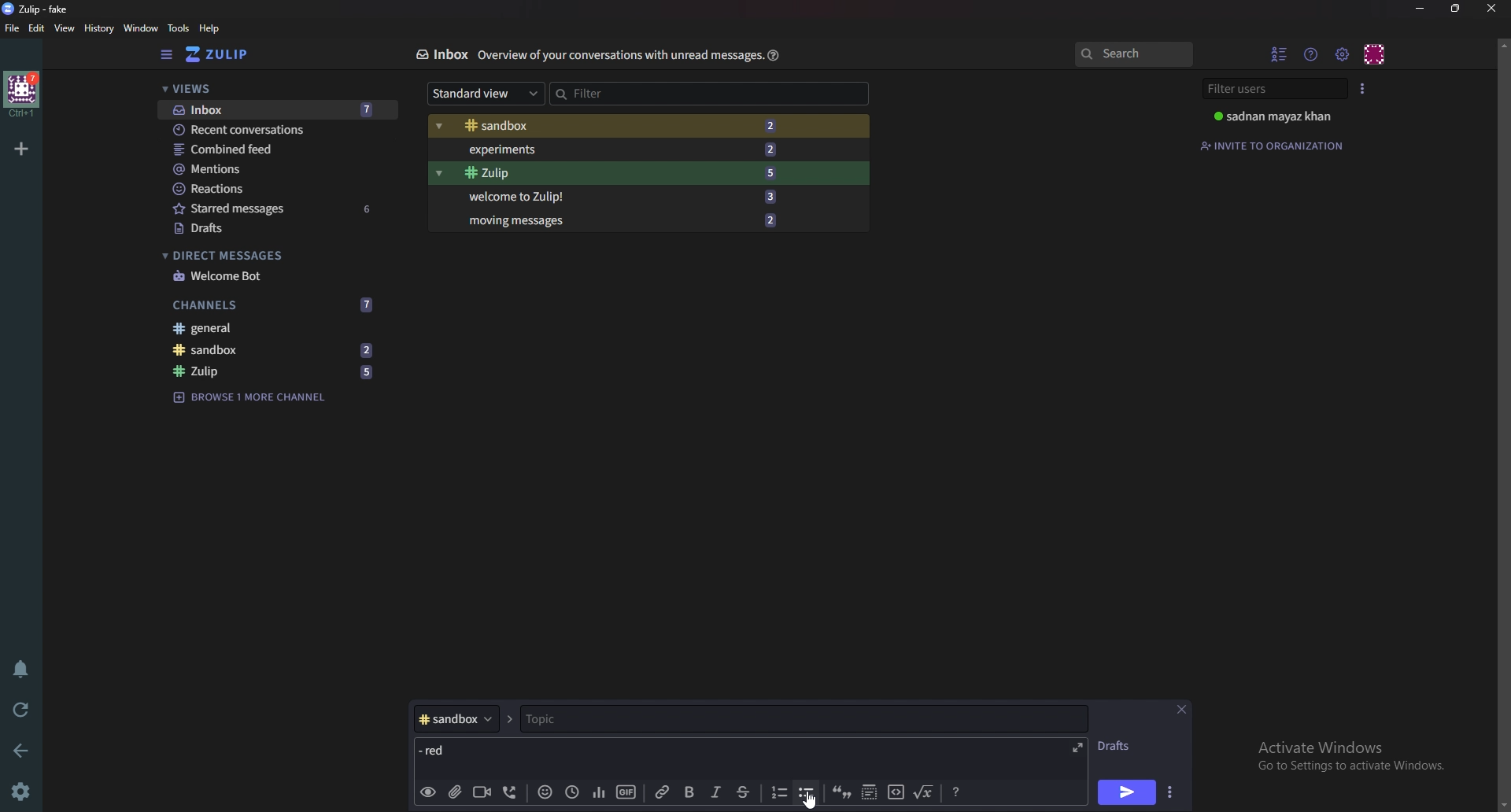 The width and height of the screenshot is (1511, 812). I want to click on Resize, so click(1458, 8).